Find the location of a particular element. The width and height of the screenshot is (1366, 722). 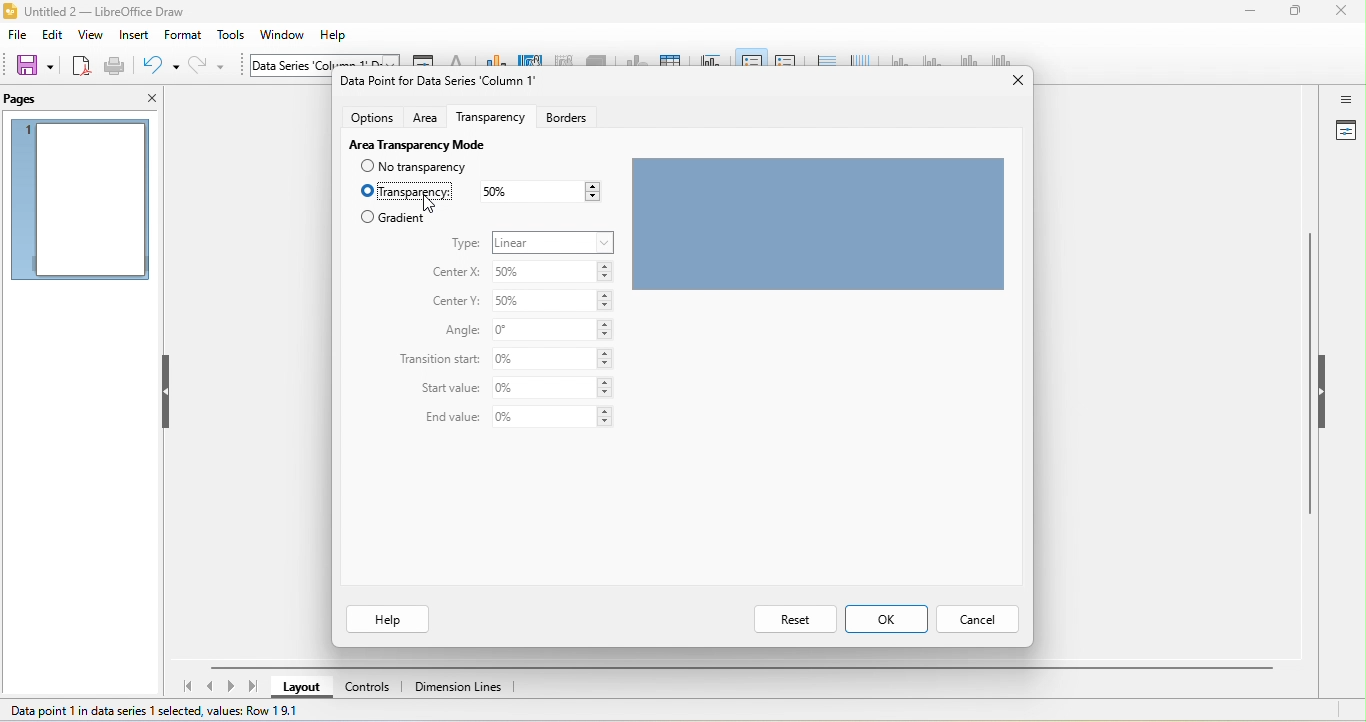

legend on/ off is located at coordinates (749, 58).